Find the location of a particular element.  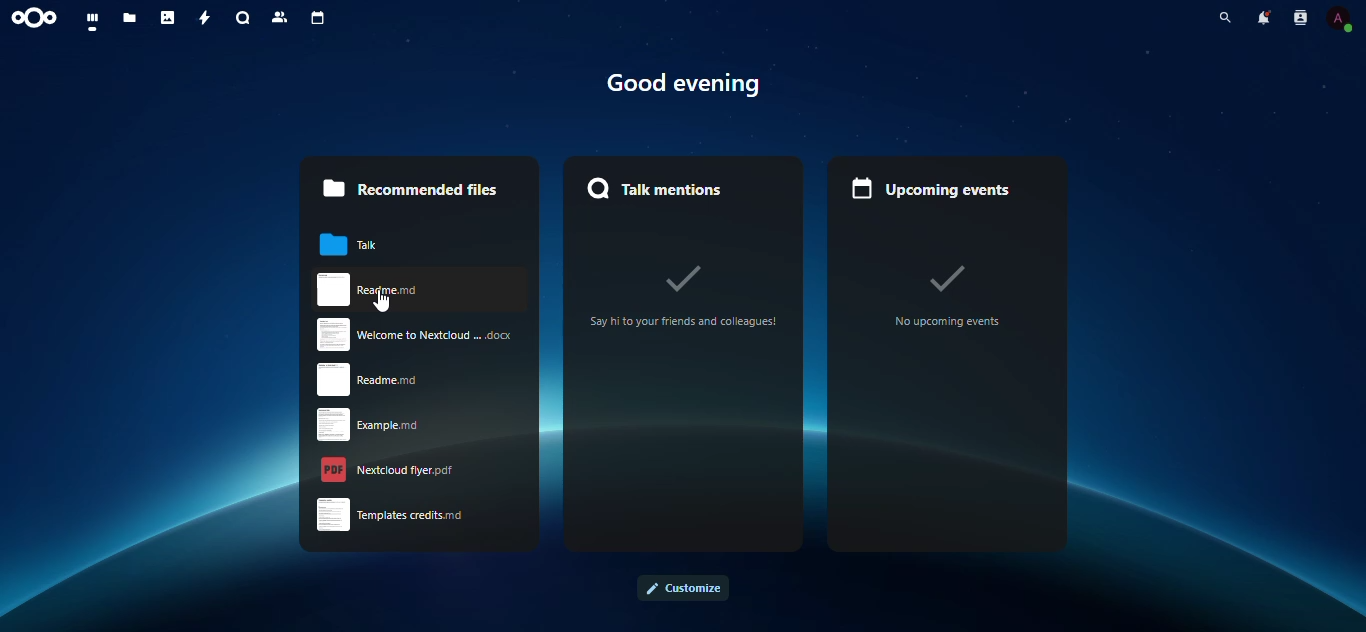

Cursor is located at coordinates (382, 301).